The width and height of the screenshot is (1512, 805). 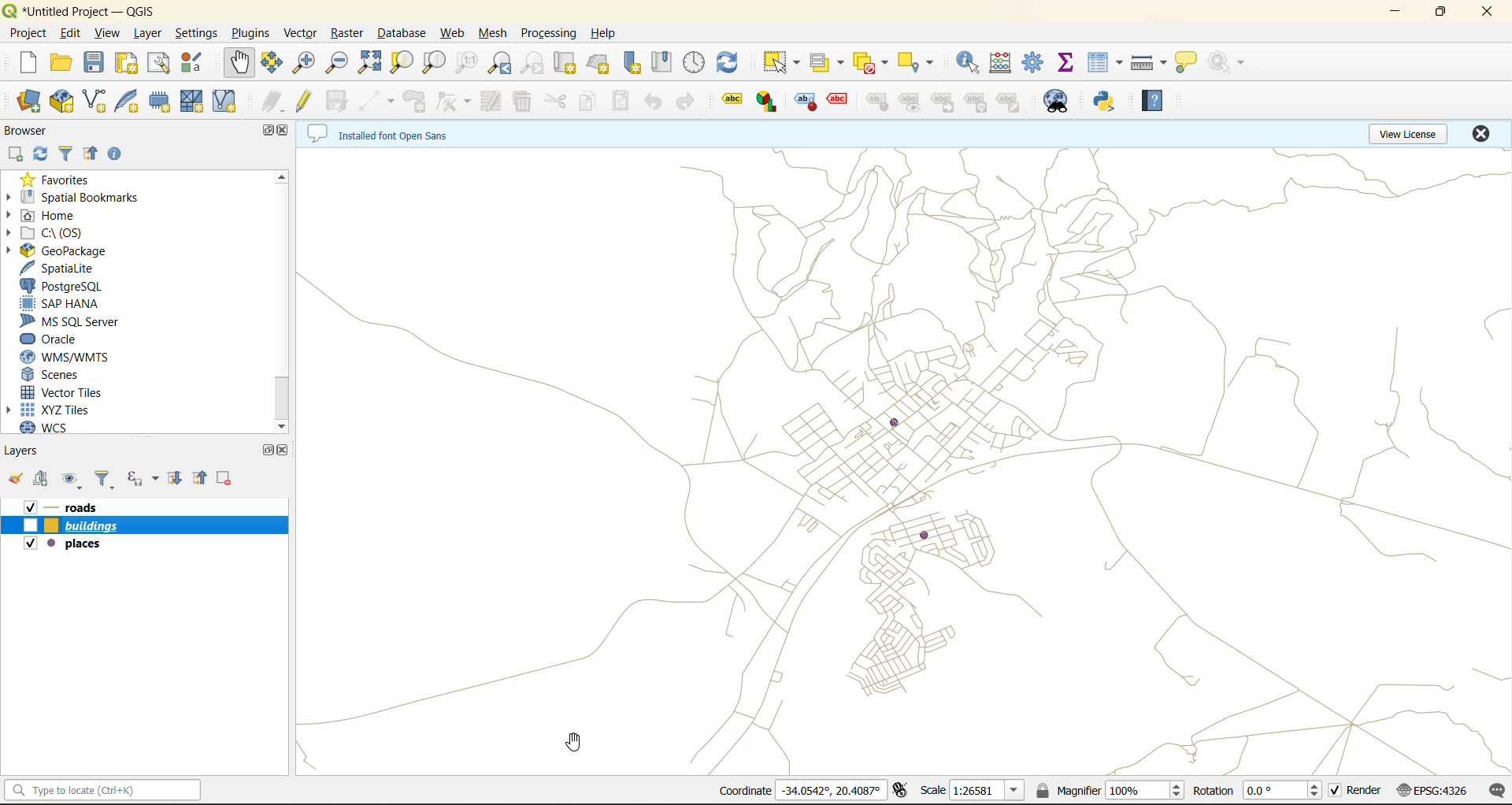 I want to click on spatial bookmarks, so click(x=88, y=197).